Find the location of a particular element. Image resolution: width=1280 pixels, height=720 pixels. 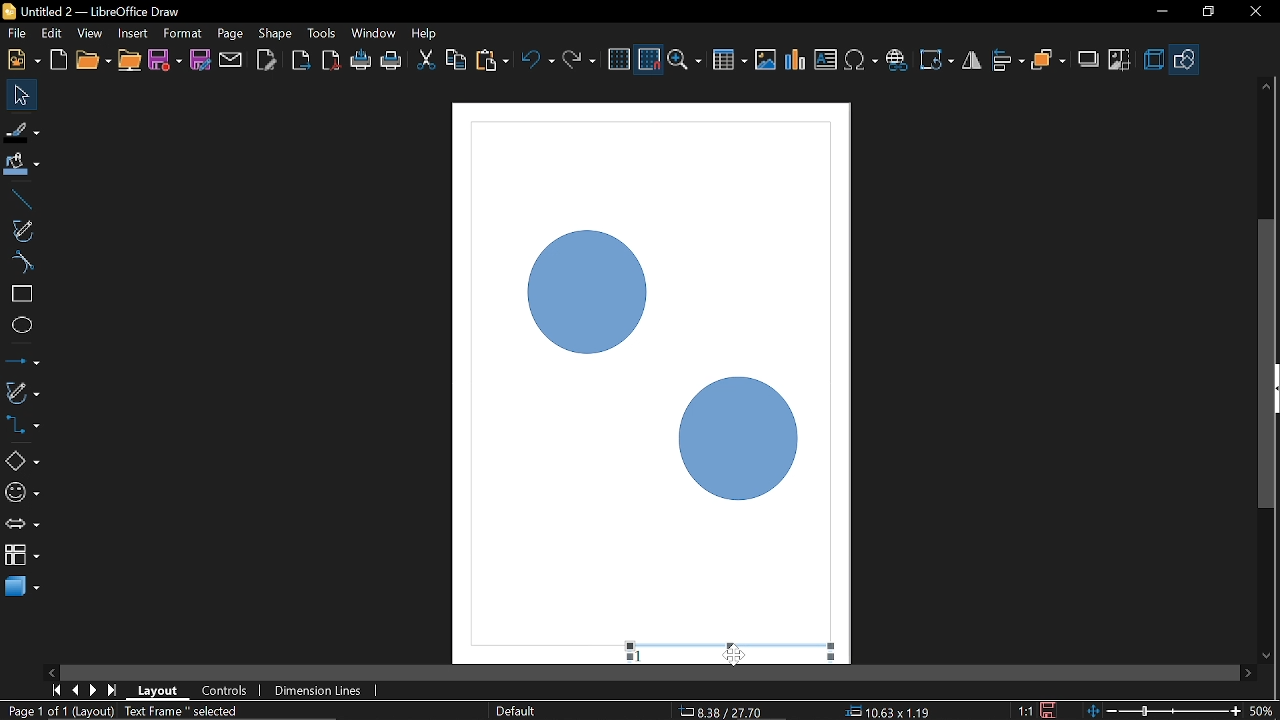

redo is located at coordinates (579, 60).